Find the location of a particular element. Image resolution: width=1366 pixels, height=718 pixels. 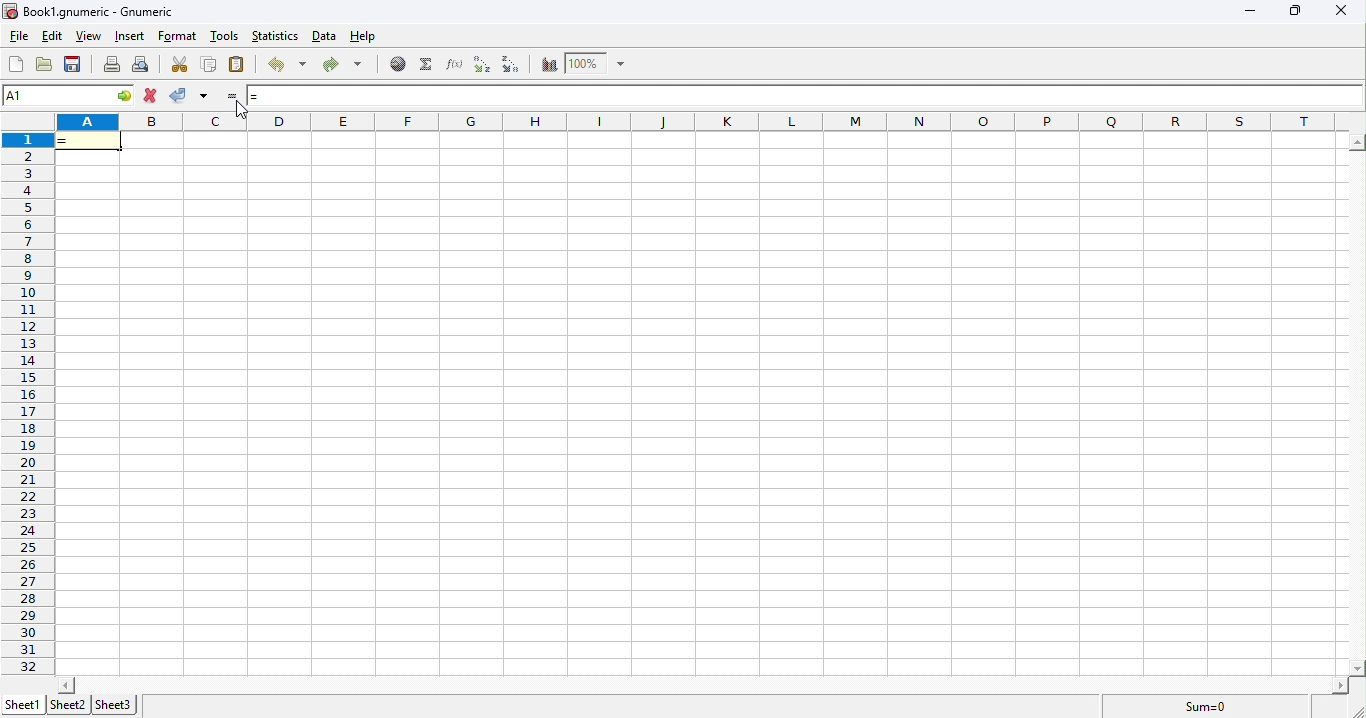

save is located at coordinates (73, 65).